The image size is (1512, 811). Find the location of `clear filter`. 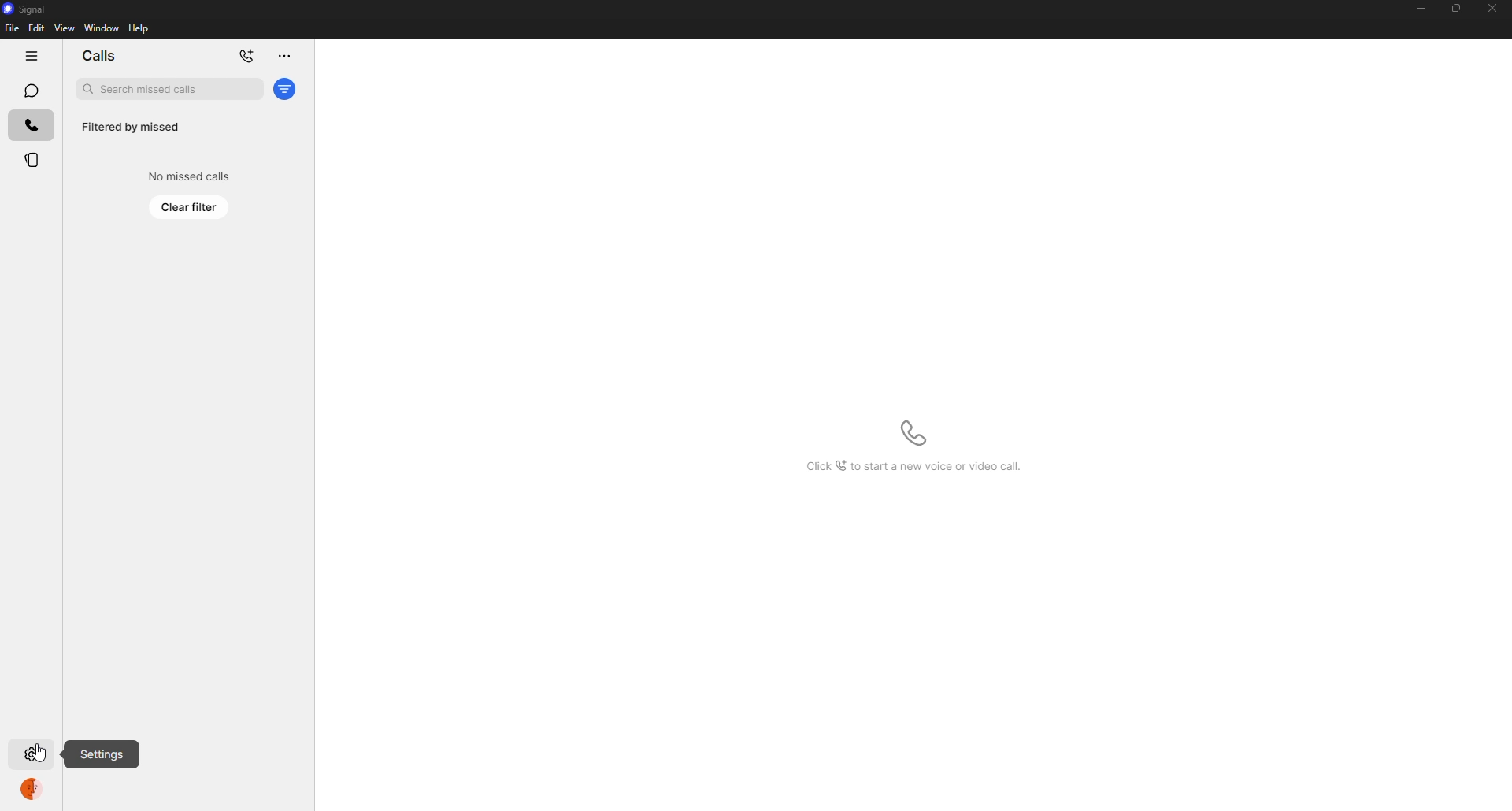

clear filter is located at coordinates (190, 206).